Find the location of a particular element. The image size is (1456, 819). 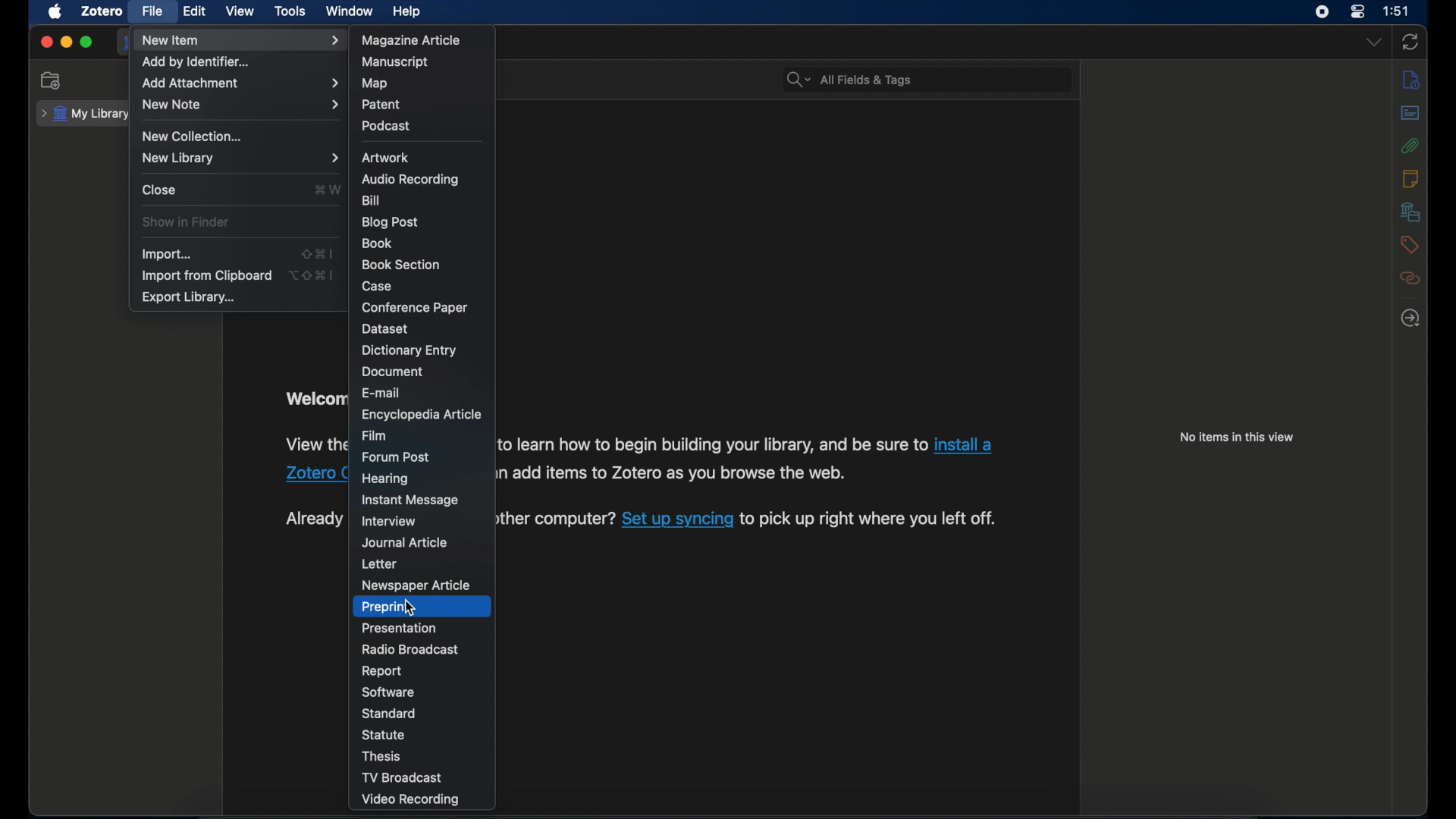

minimize is located at coordinates (65, 42).